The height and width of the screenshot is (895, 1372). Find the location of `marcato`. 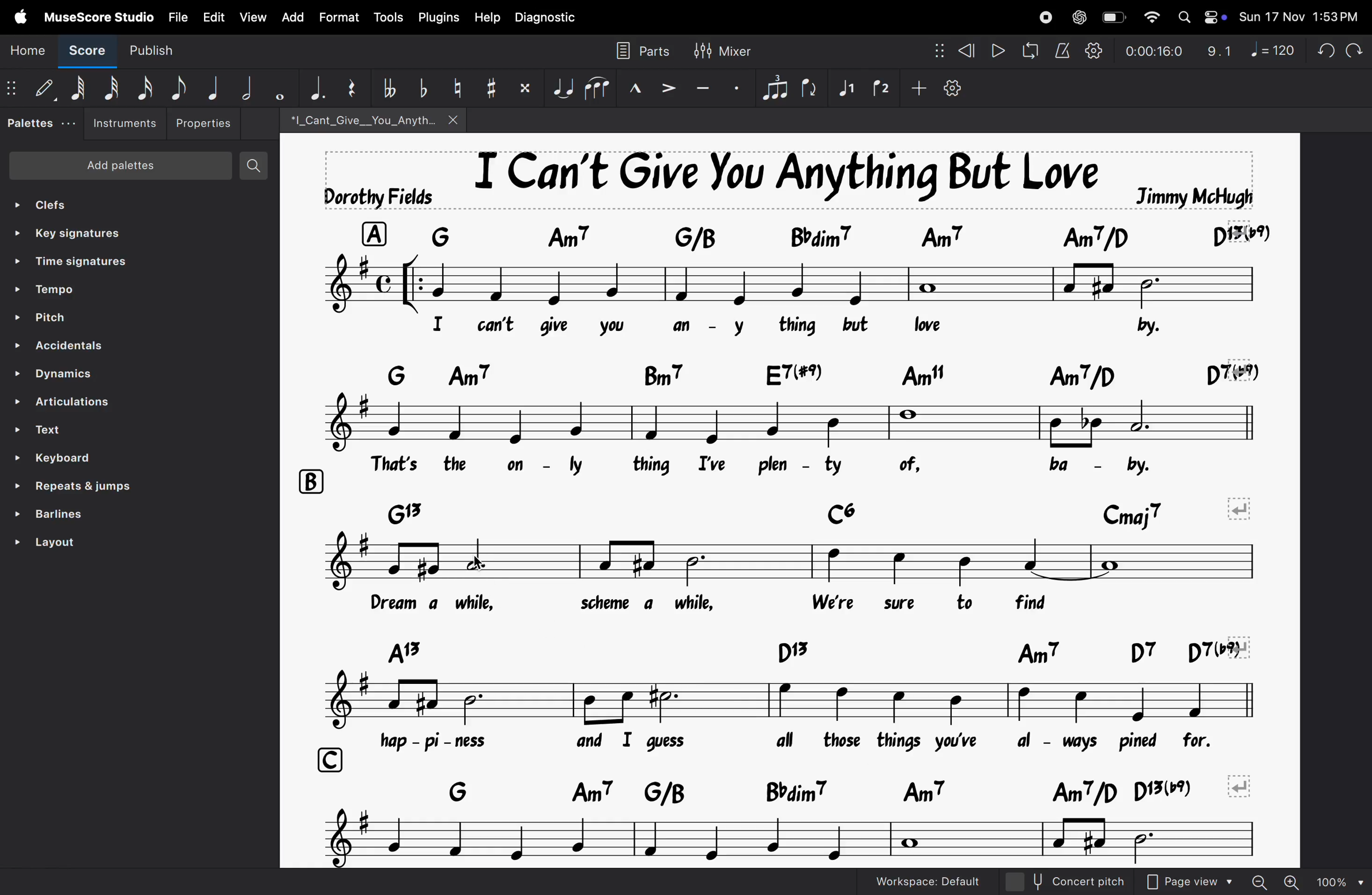

marcato is located at coordinates (638, 89).